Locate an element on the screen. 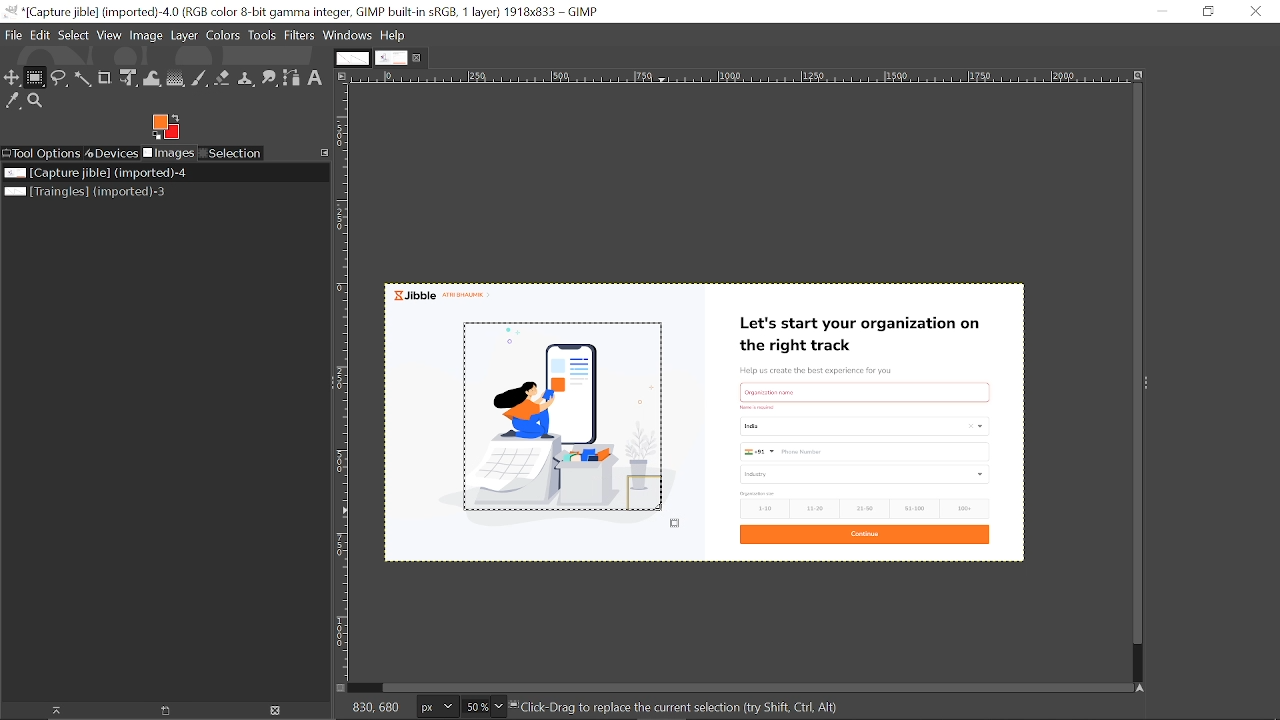 The height and width of the screenshot is (720, 1280). Sidebar menu is located at coordinates (1153, 384).